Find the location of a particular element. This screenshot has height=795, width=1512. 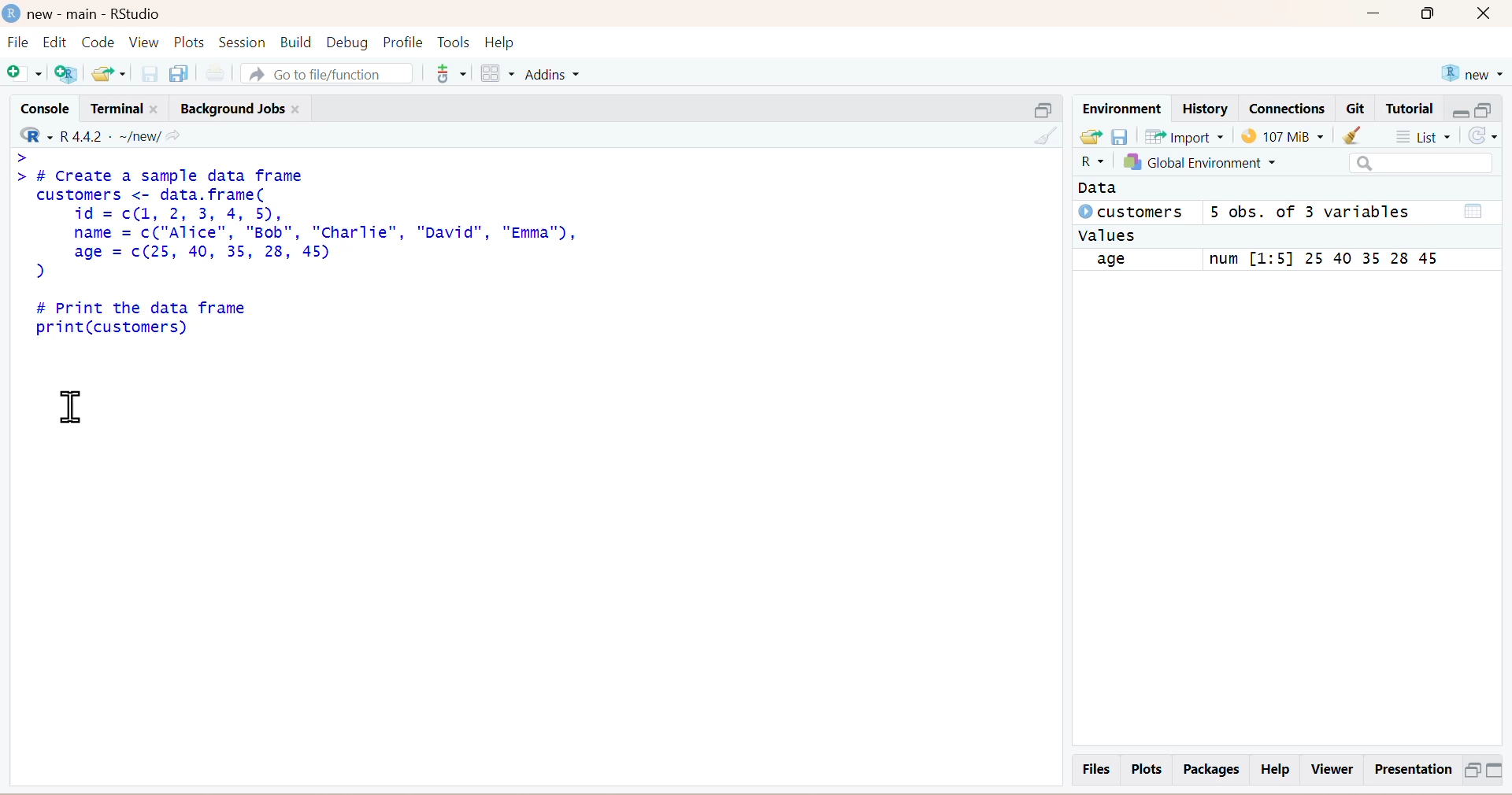

Help is located at coordinates (513, 42).